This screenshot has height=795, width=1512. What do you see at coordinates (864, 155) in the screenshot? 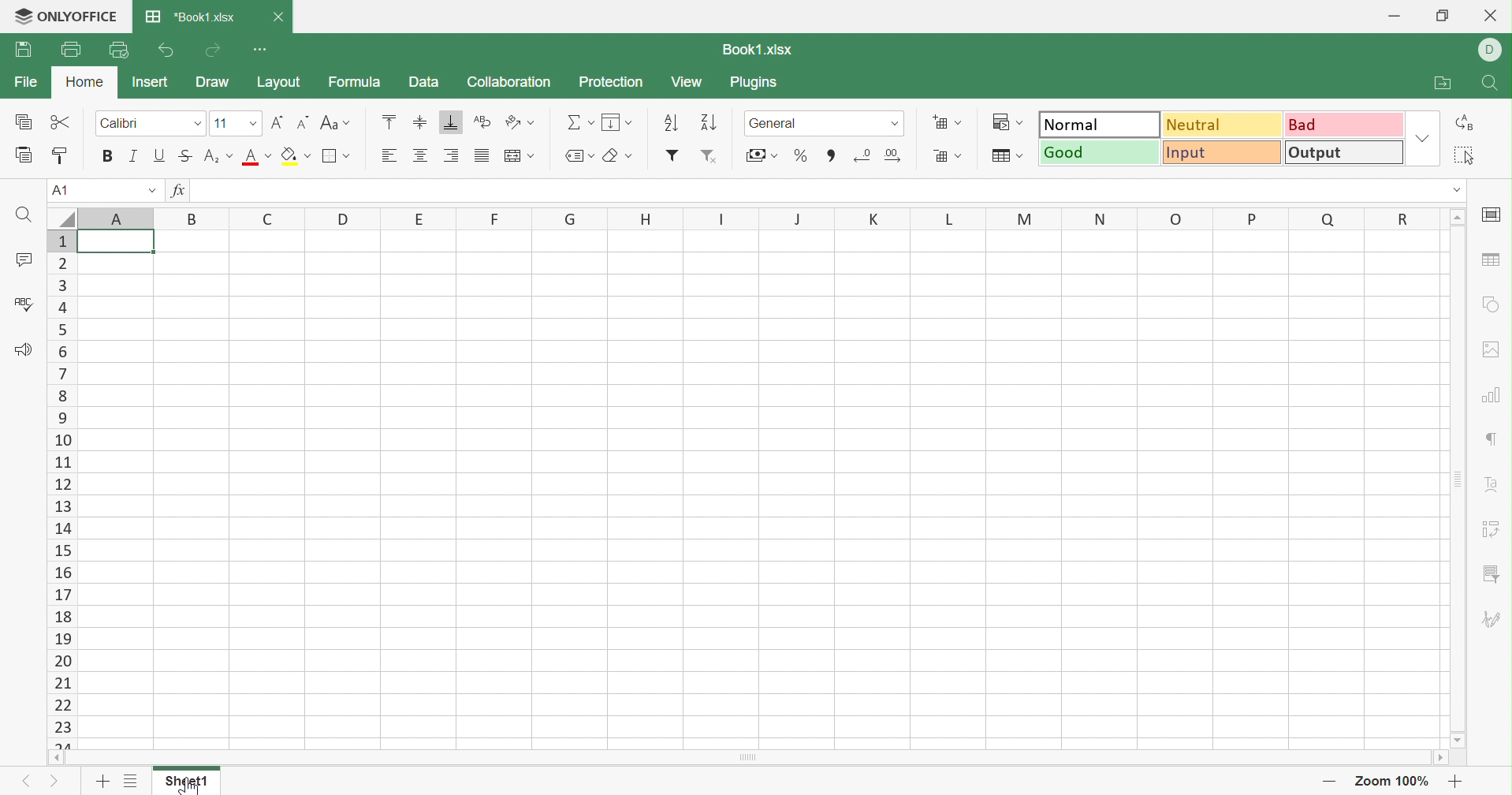
I see `Decrease decimal` at bounding box center [864, 155].